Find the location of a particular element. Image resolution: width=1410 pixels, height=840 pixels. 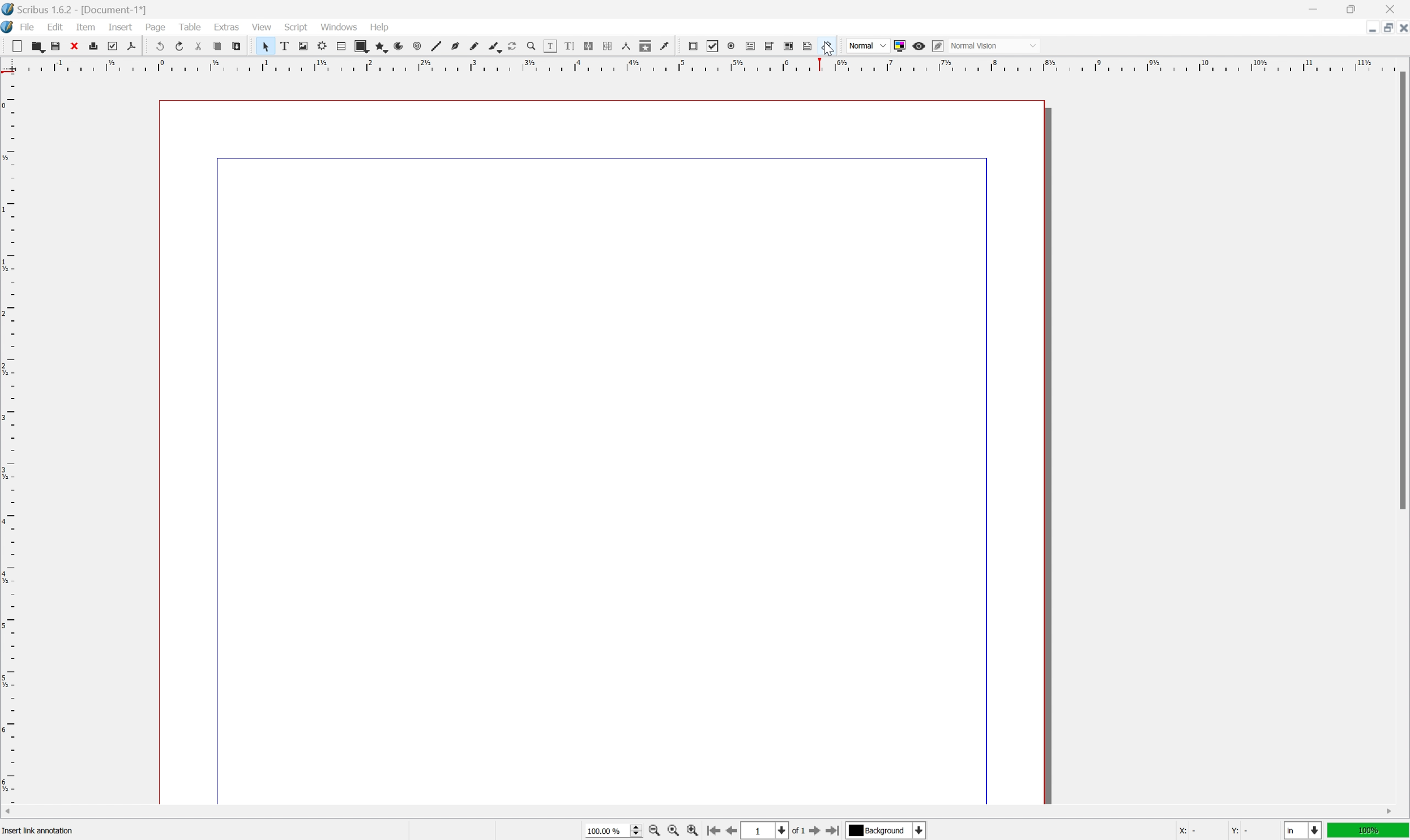

minimize is located at coordinates (1312, 8).